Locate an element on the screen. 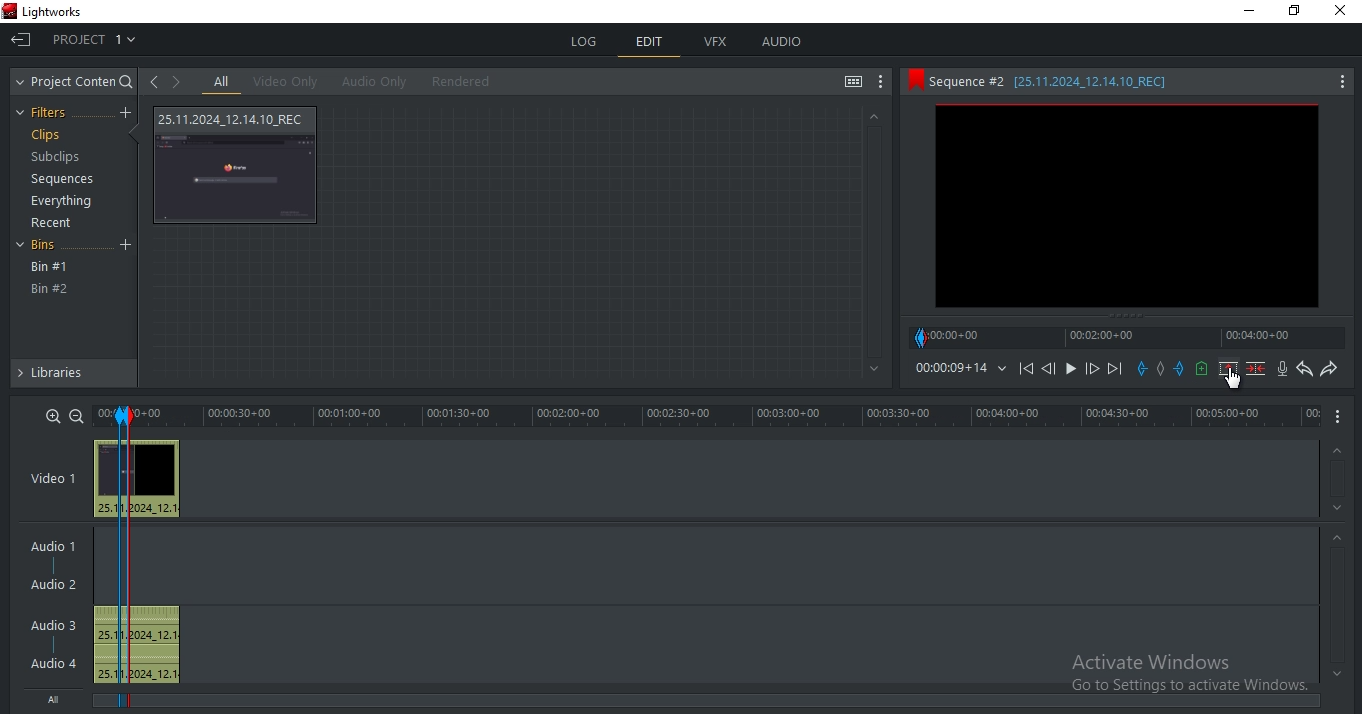  add a in mark is located at coordinates (1143, 369).